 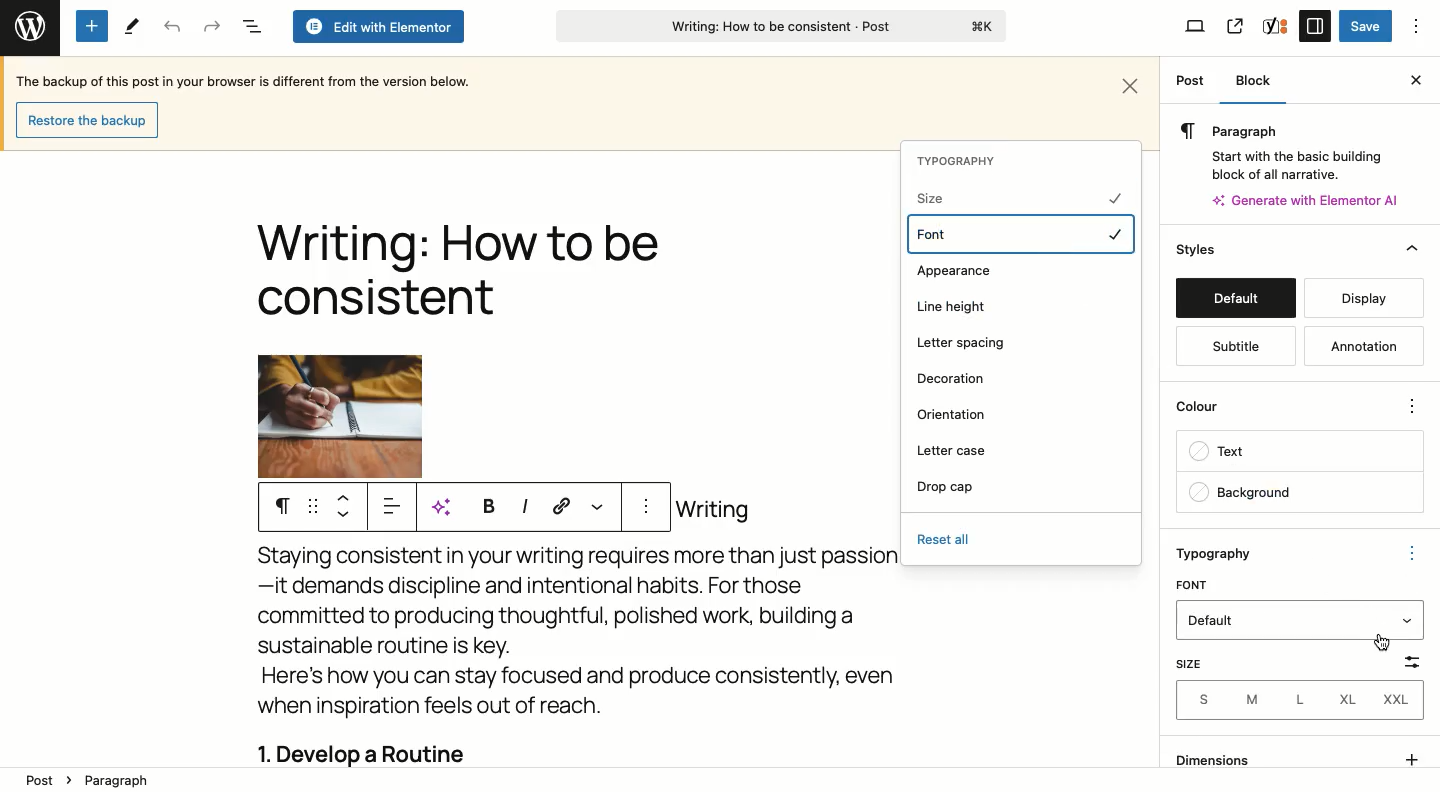 I want to click on View post, so click(x=1234, y=26).